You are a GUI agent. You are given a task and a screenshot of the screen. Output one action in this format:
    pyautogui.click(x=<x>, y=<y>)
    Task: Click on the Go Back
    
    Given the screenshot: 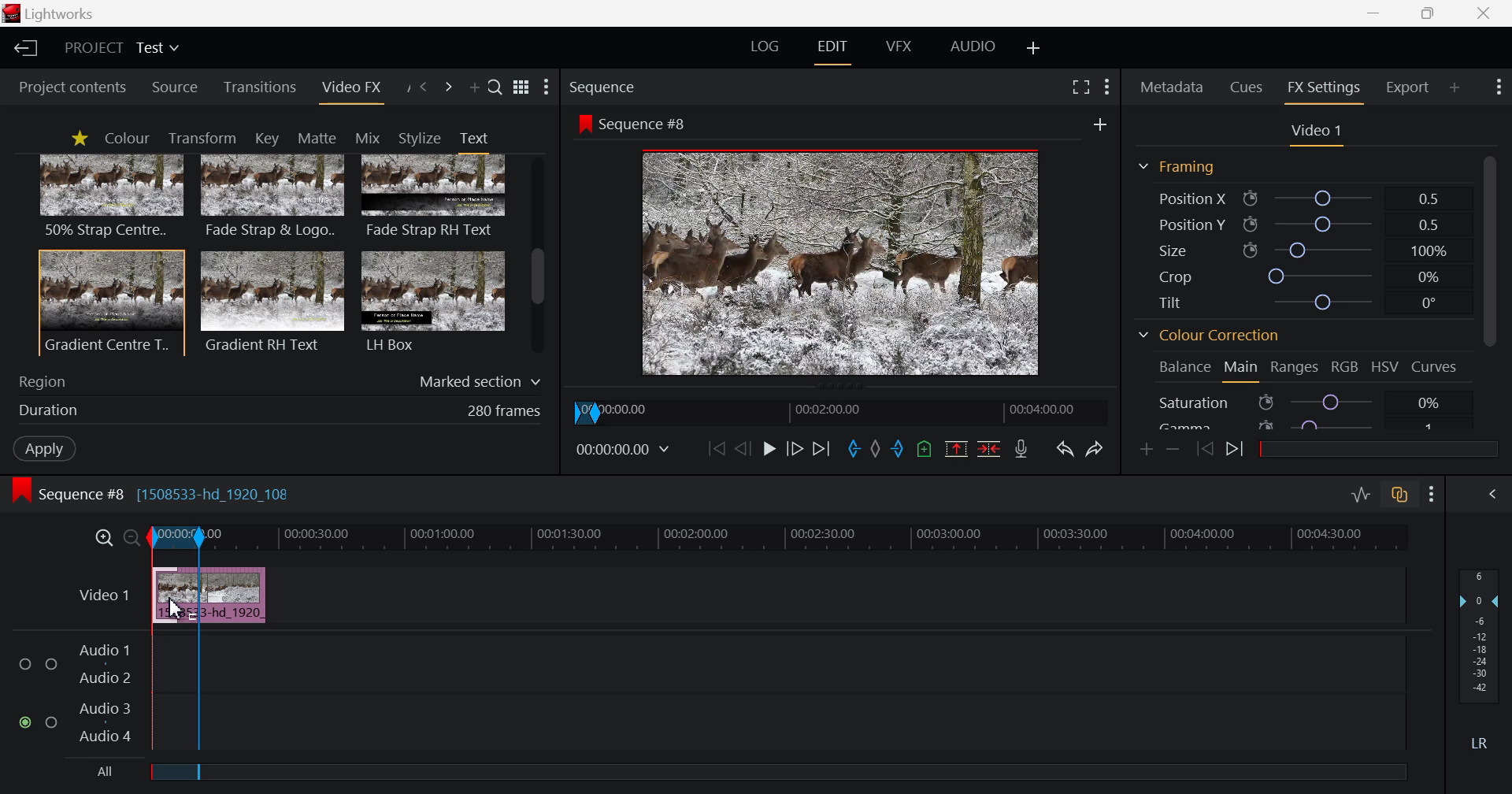 What is the action you would take?
    pyautogui.click(x=743, y=448)
    